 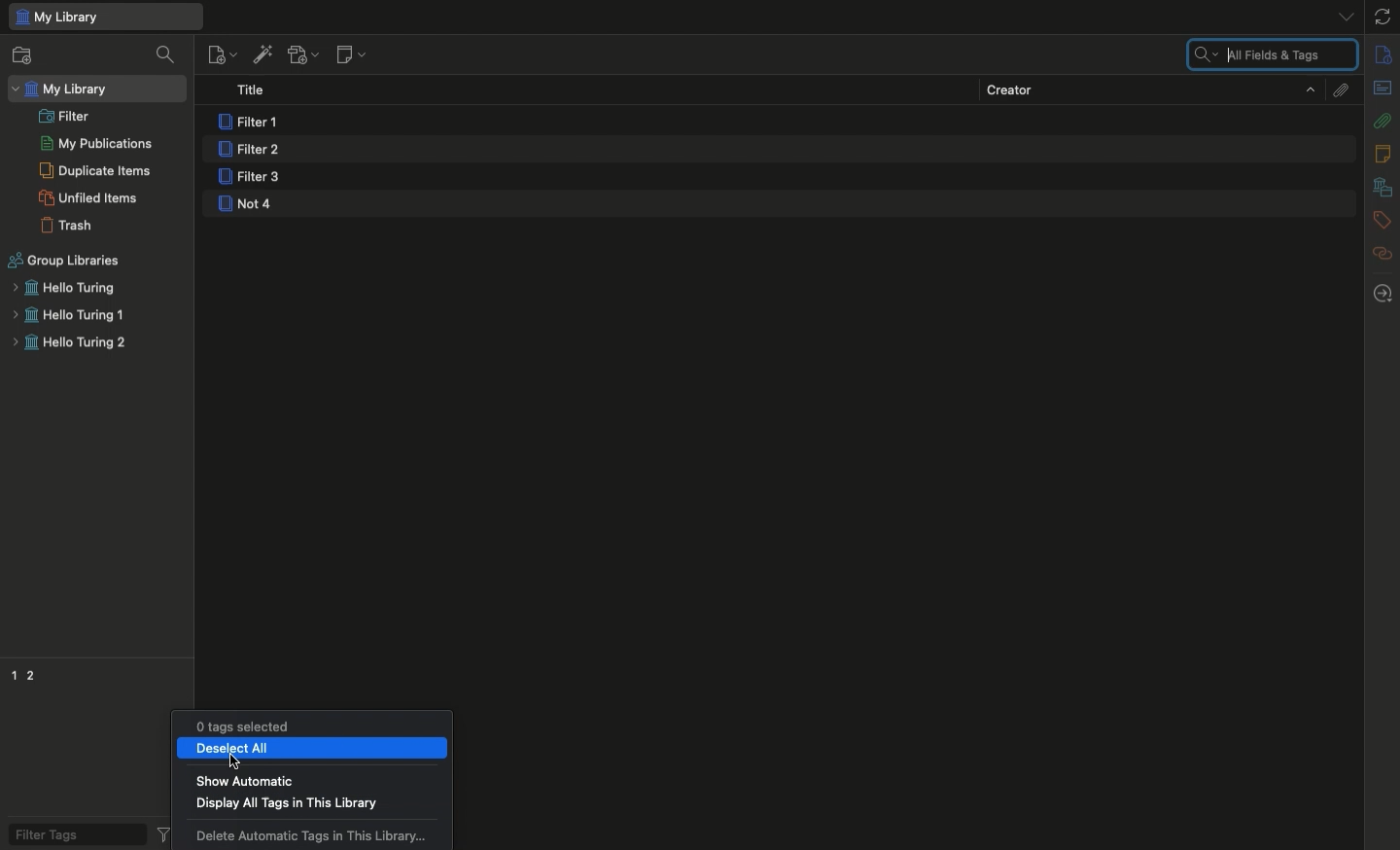 What do you see at coordinates (257, 91) in the screenshot?
I see `Title` at bounding box center [257, 91].